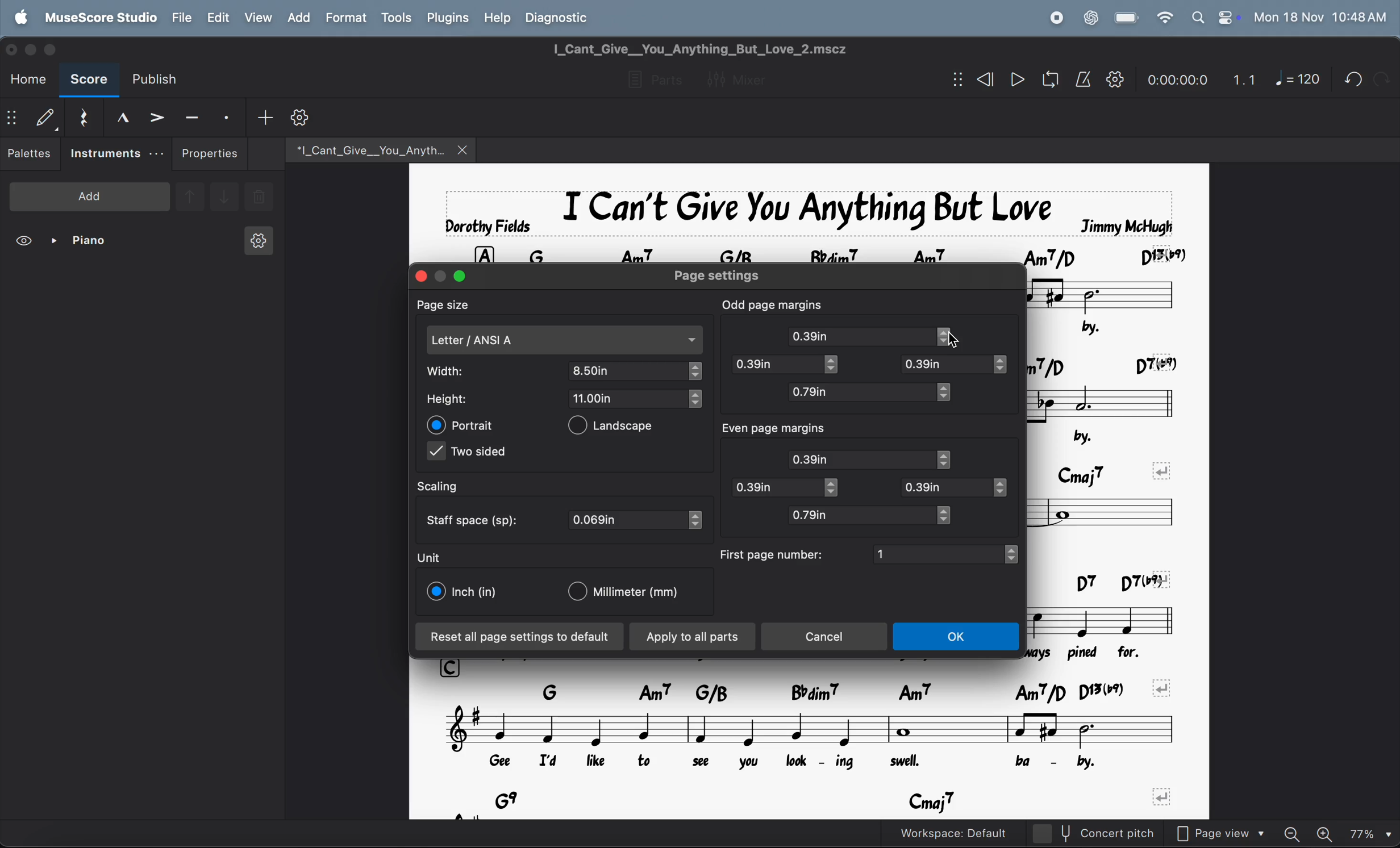 The height and width of the screenshot is (848, 1400). I want to click on 0.39in, so click(944, 365).